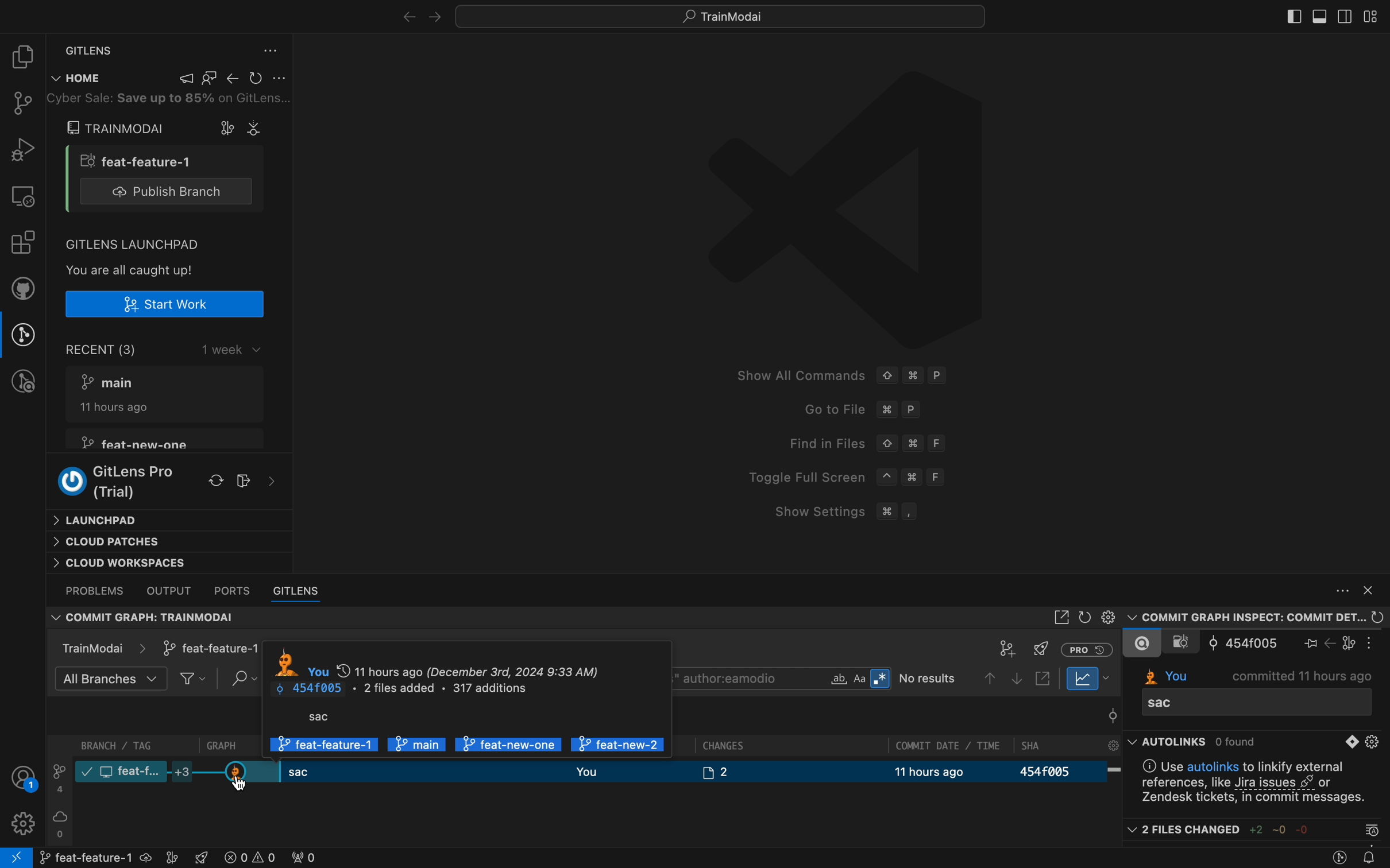 This screenshot has width=1390, height=868. What do you see at coordinates (26, 289) in the screenshot?
I see `github` at bounding box center [26, 289].